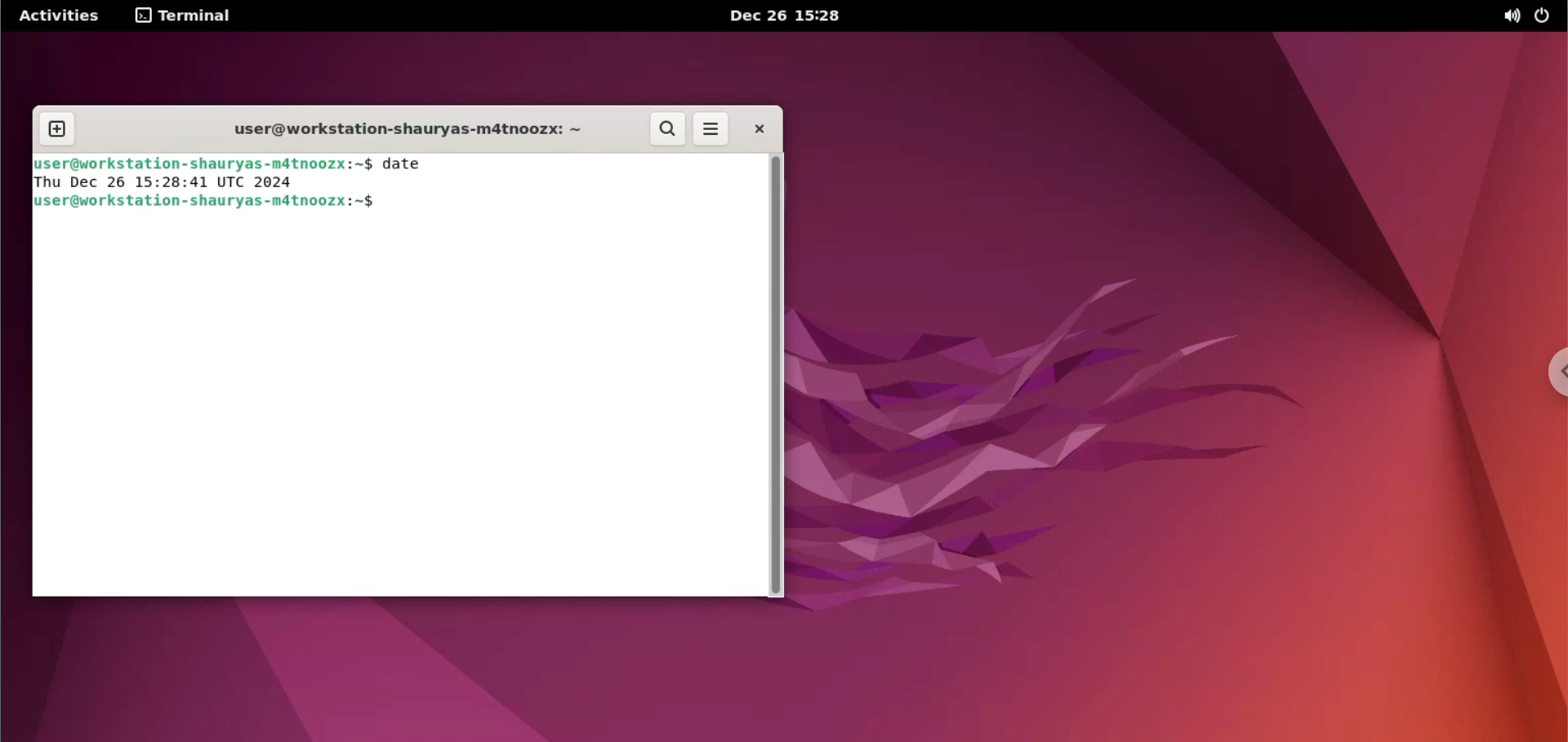  I want to click on scrollbar, so click(773, 375).